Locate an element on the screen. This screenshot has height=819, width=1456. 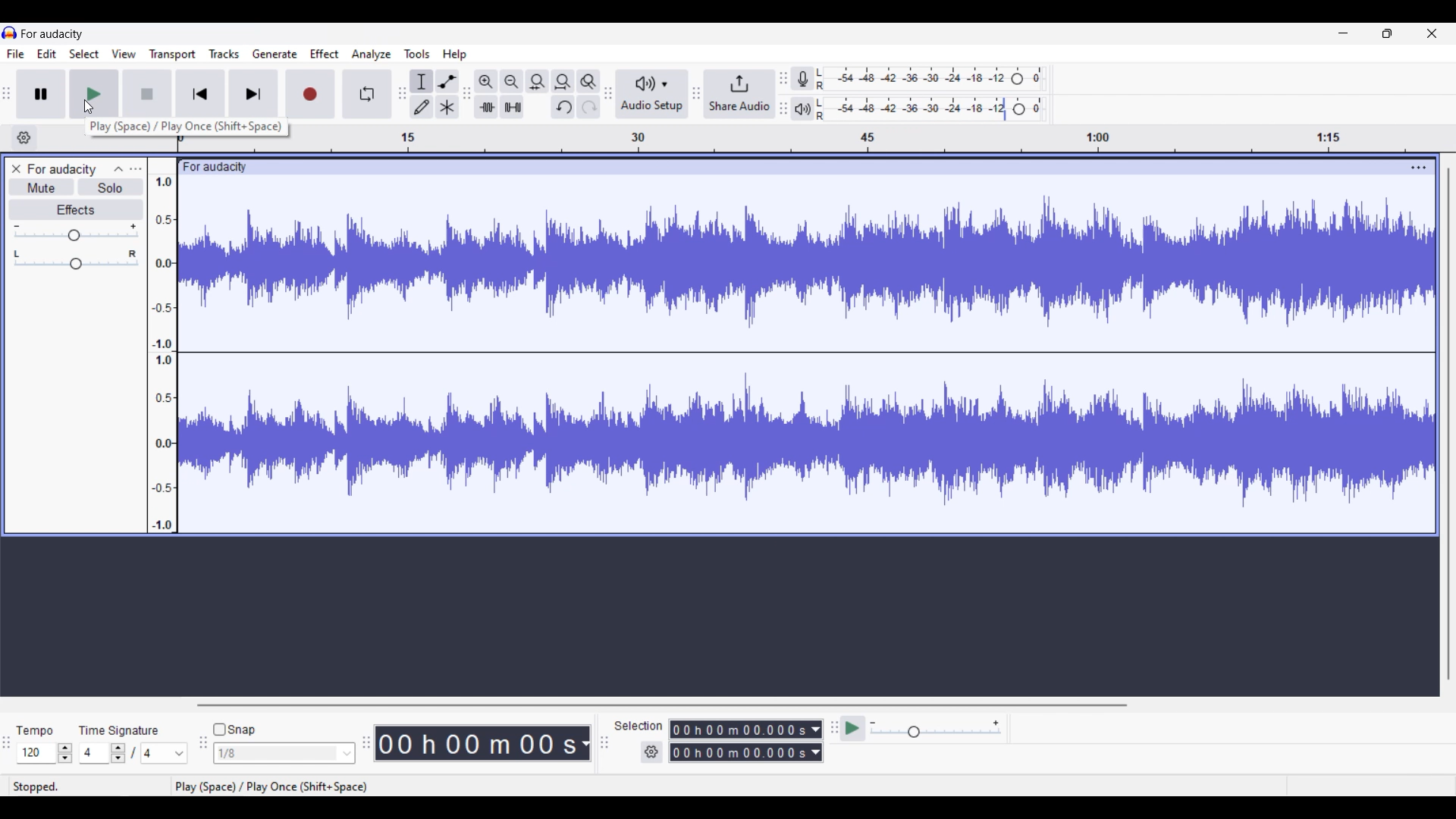
Record/Record new track is located at coordinates (311, 94).